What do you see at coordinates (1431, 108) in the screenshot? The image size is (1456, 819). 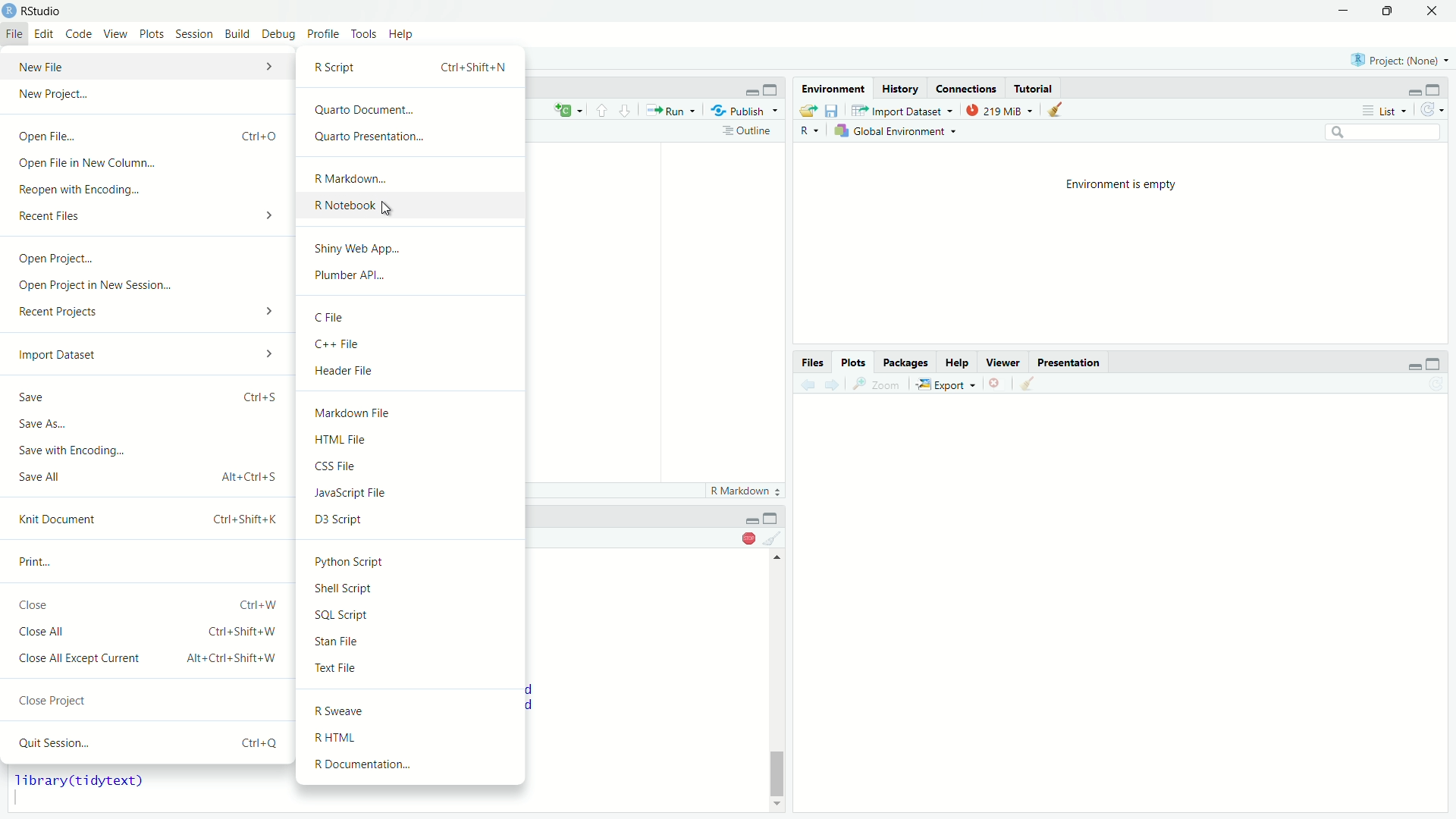 I see `refresh the list of objects` at bounding box center [1431, 108].